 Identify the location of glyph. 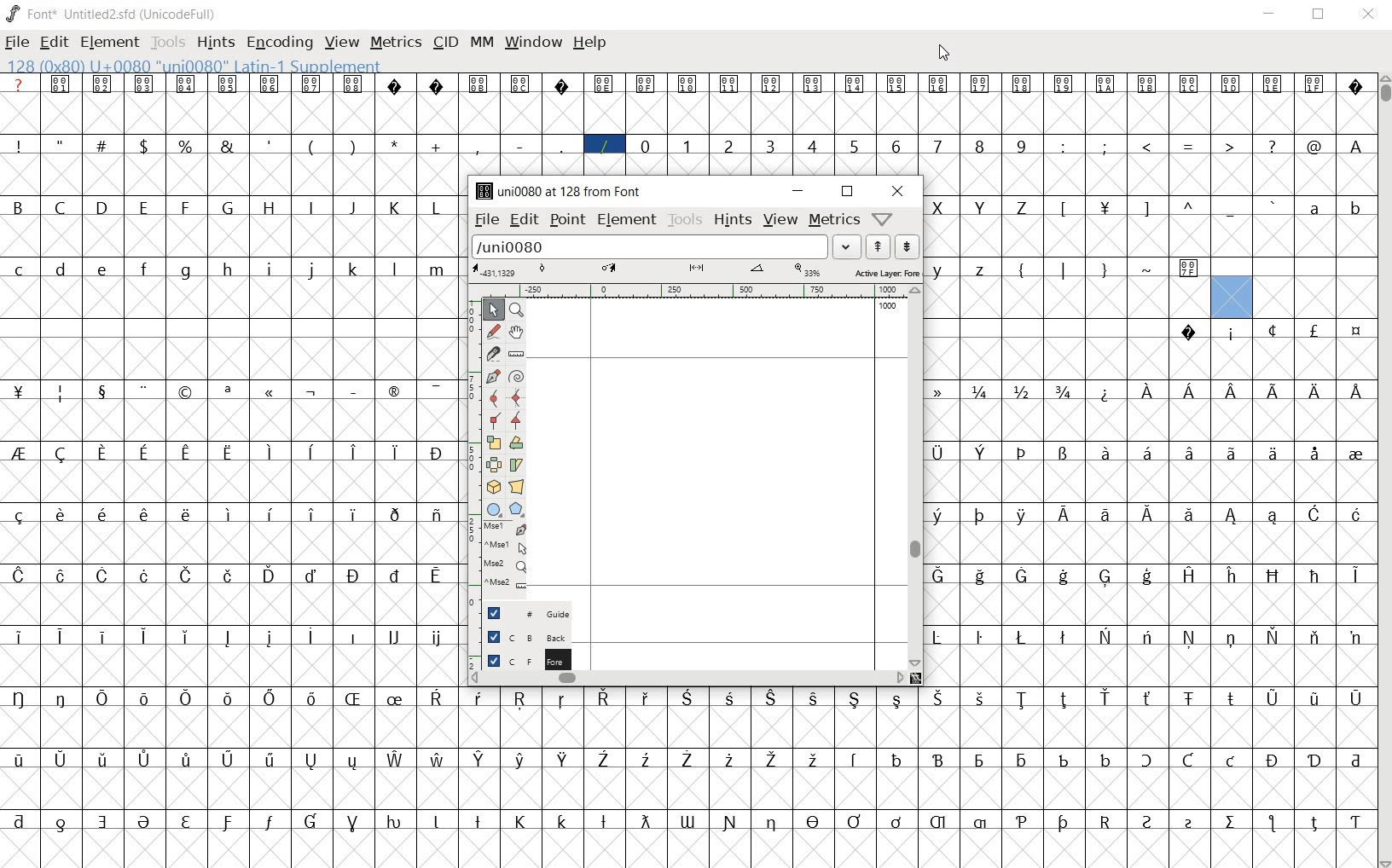
(394, 576).